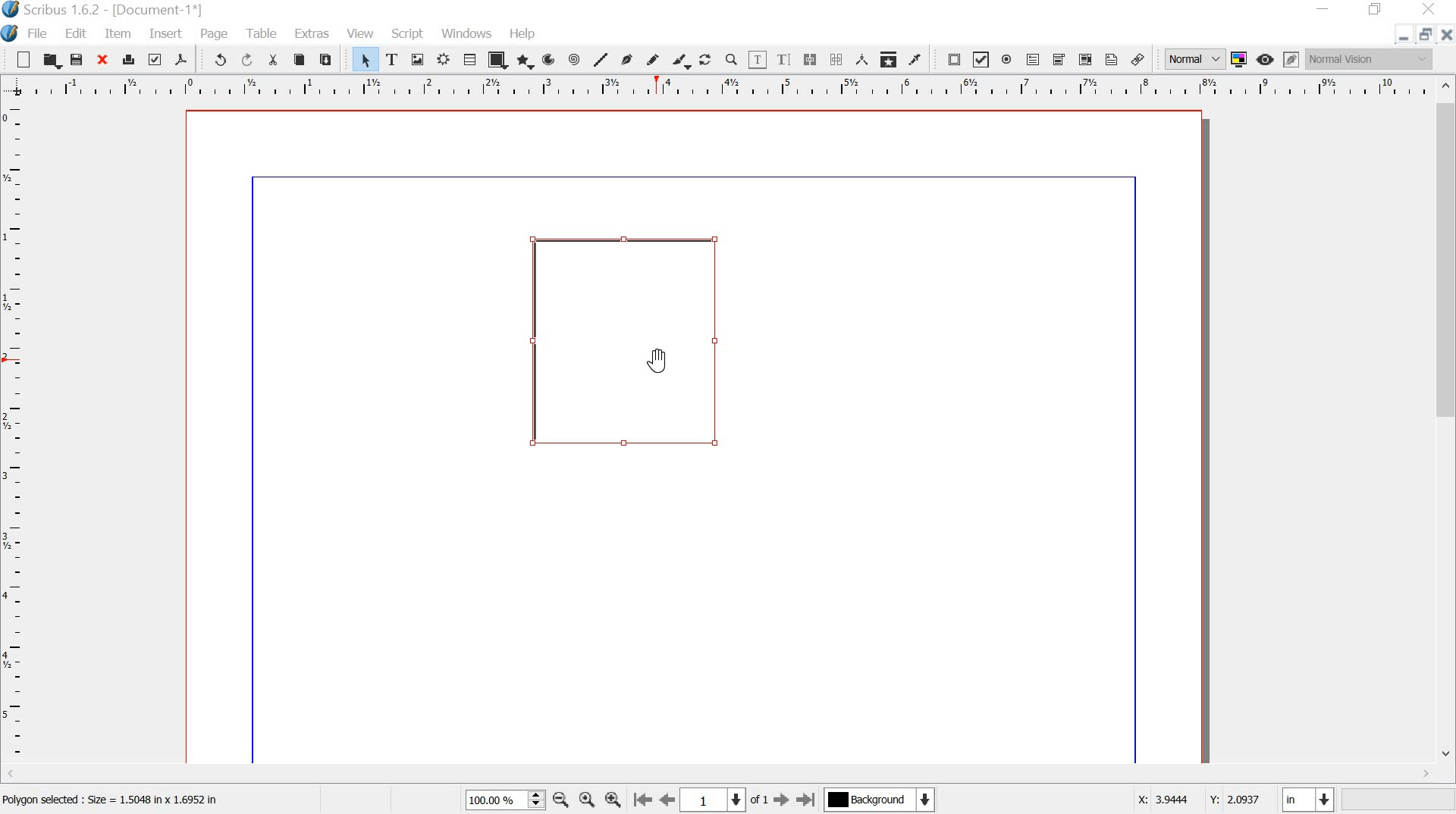 The height and width of the screenshot is (814, 1456). I want to click on pdf text field, so click(1034, 59).